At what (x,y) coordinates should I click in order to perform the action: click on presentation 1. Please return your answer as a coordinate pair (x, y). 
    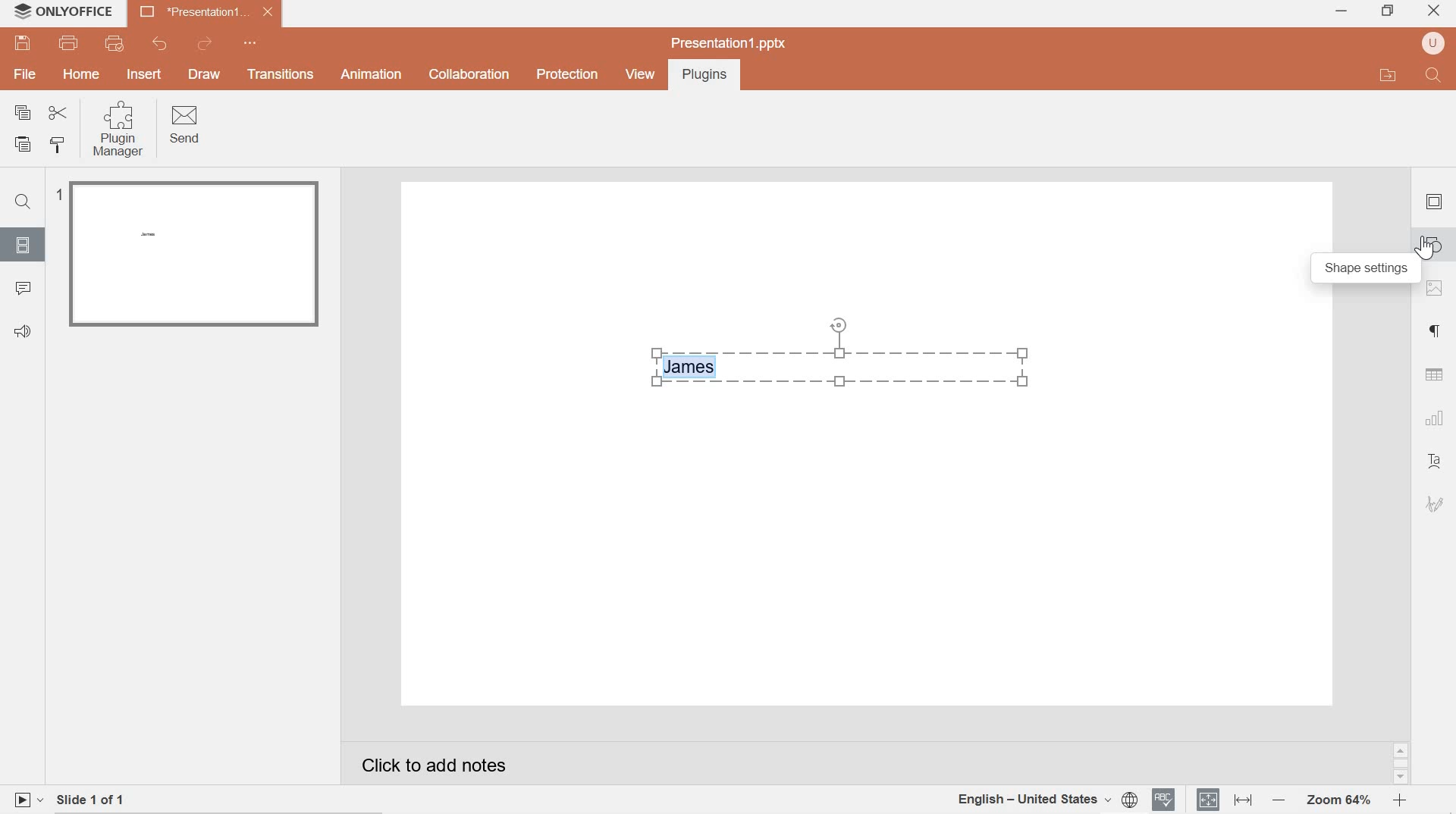
    Looking at the image, I should click on (206, 12).